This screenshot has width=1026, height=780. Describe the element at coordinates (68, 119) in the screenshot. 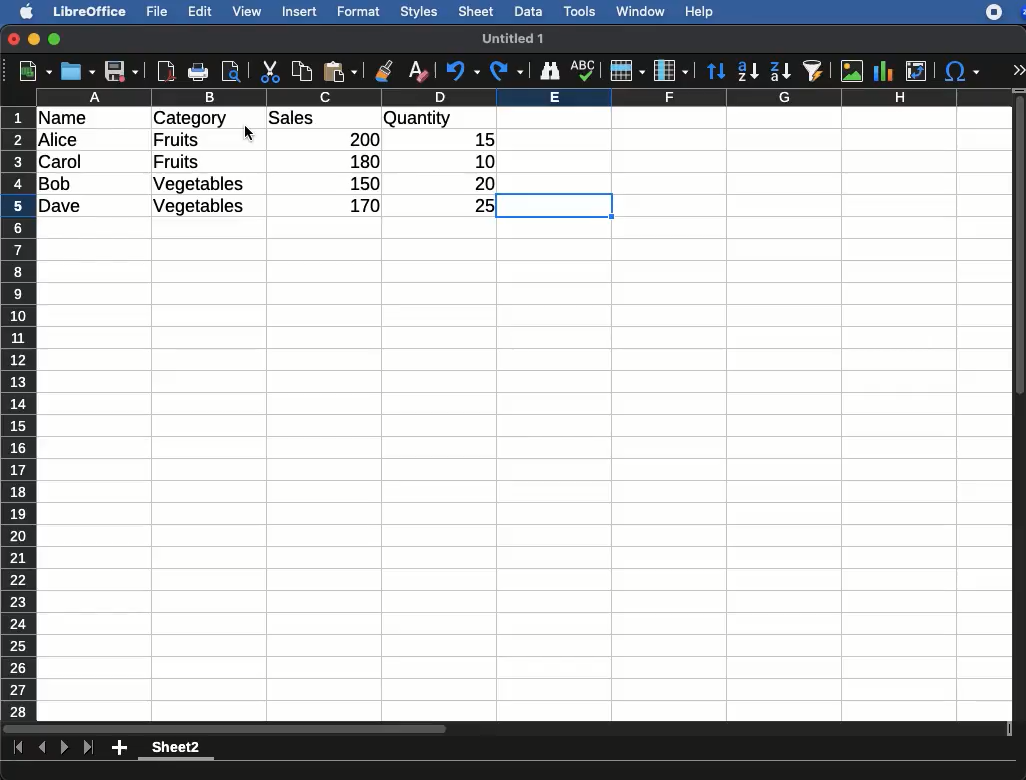

I see `name` at that location.